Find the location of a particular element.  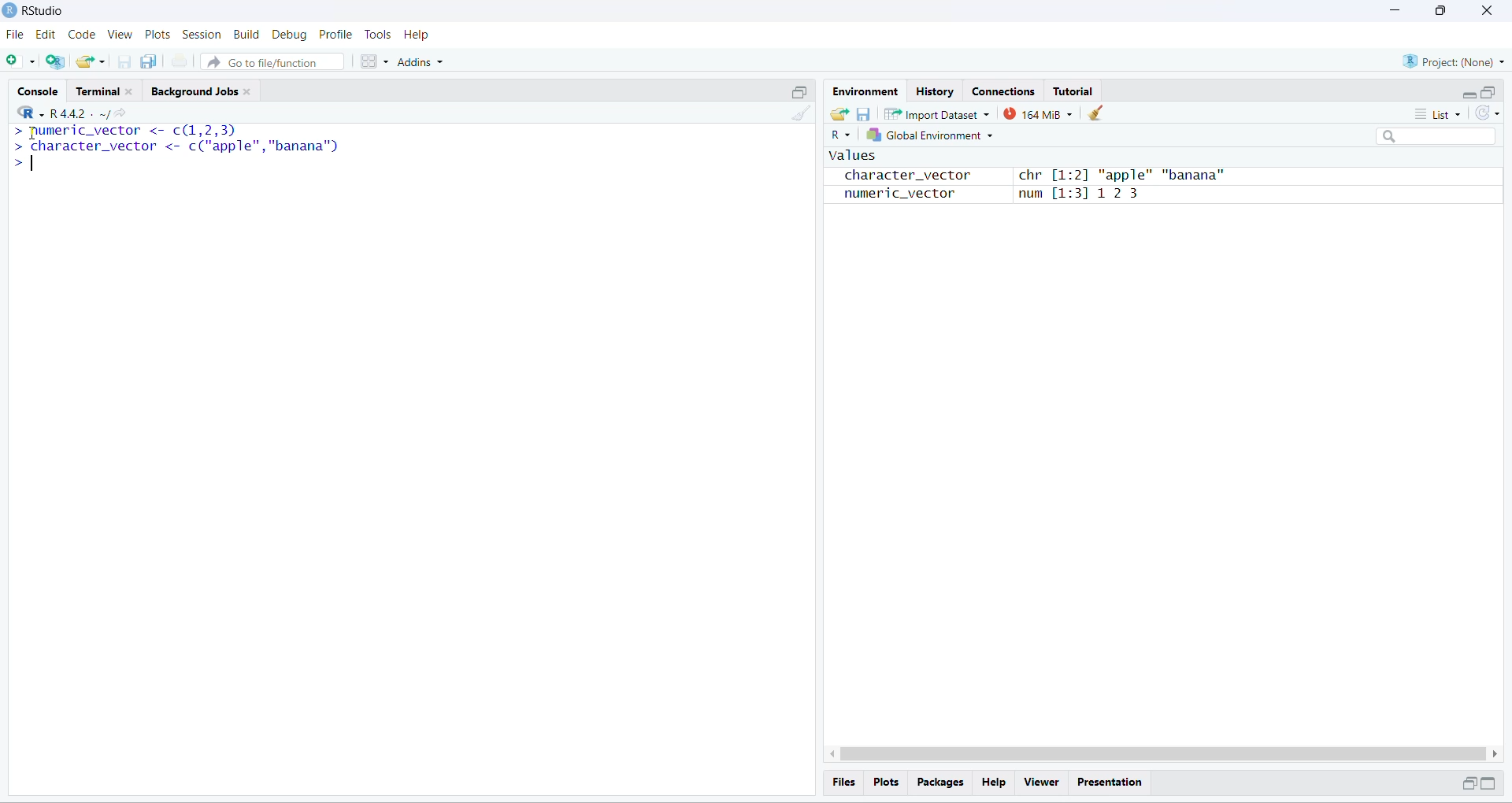

Terminal is located at coordinates (107, 88).